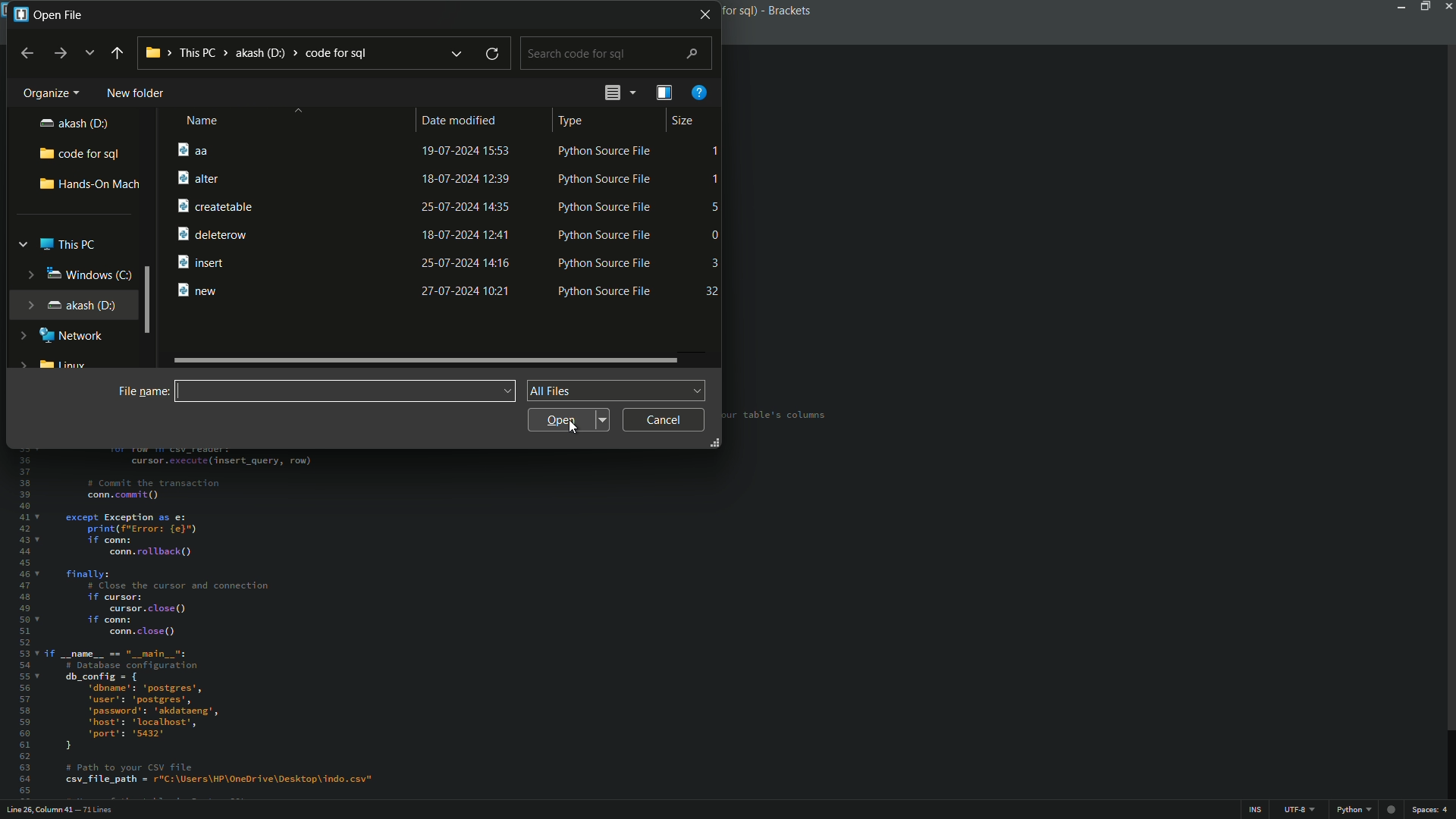 The width and height of the screenshot is (1456, 819). I want to click on spaces, so click(1432, 812).